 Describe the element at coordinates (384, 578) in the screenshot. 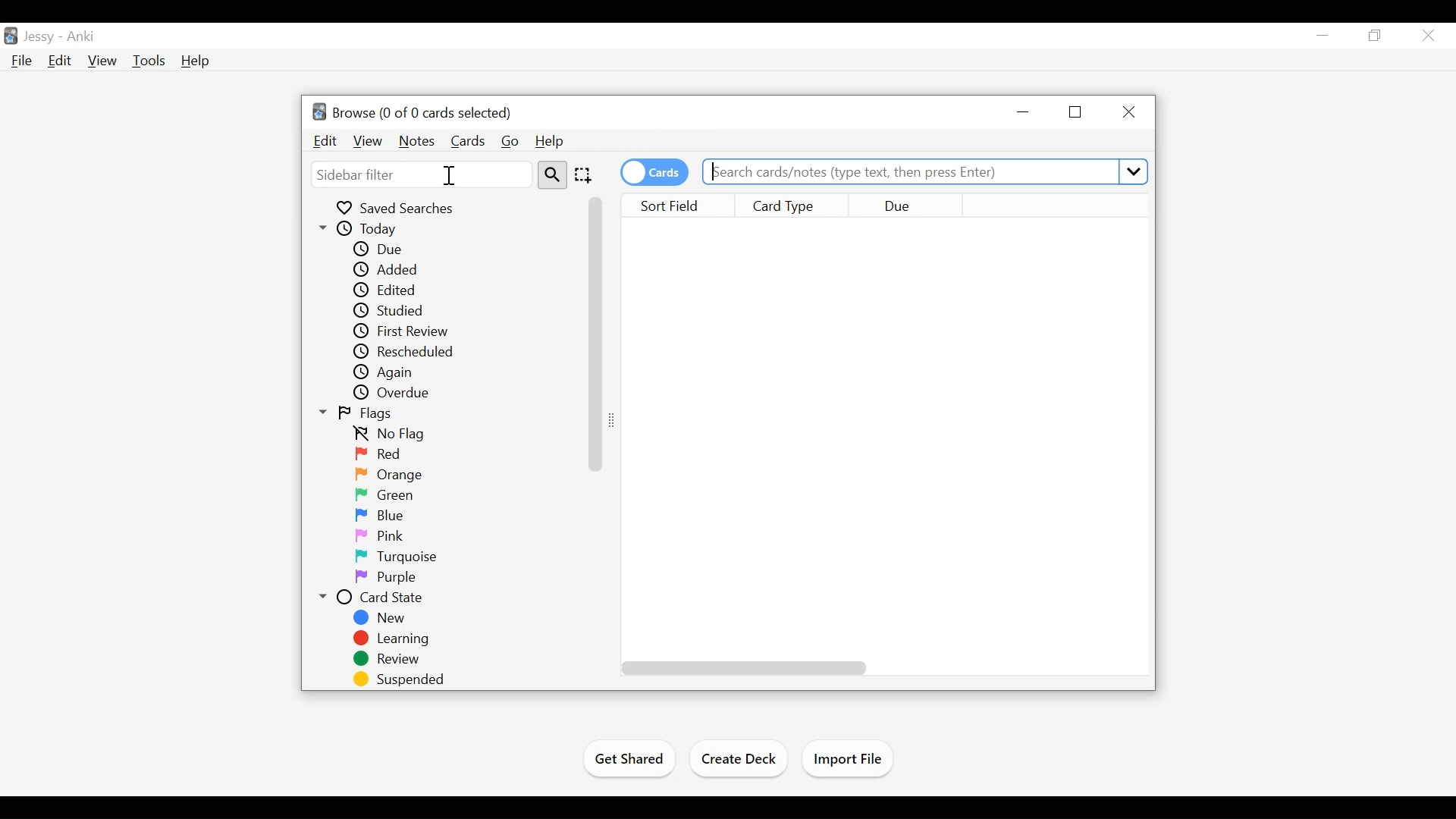

I see `Purple` at that location.